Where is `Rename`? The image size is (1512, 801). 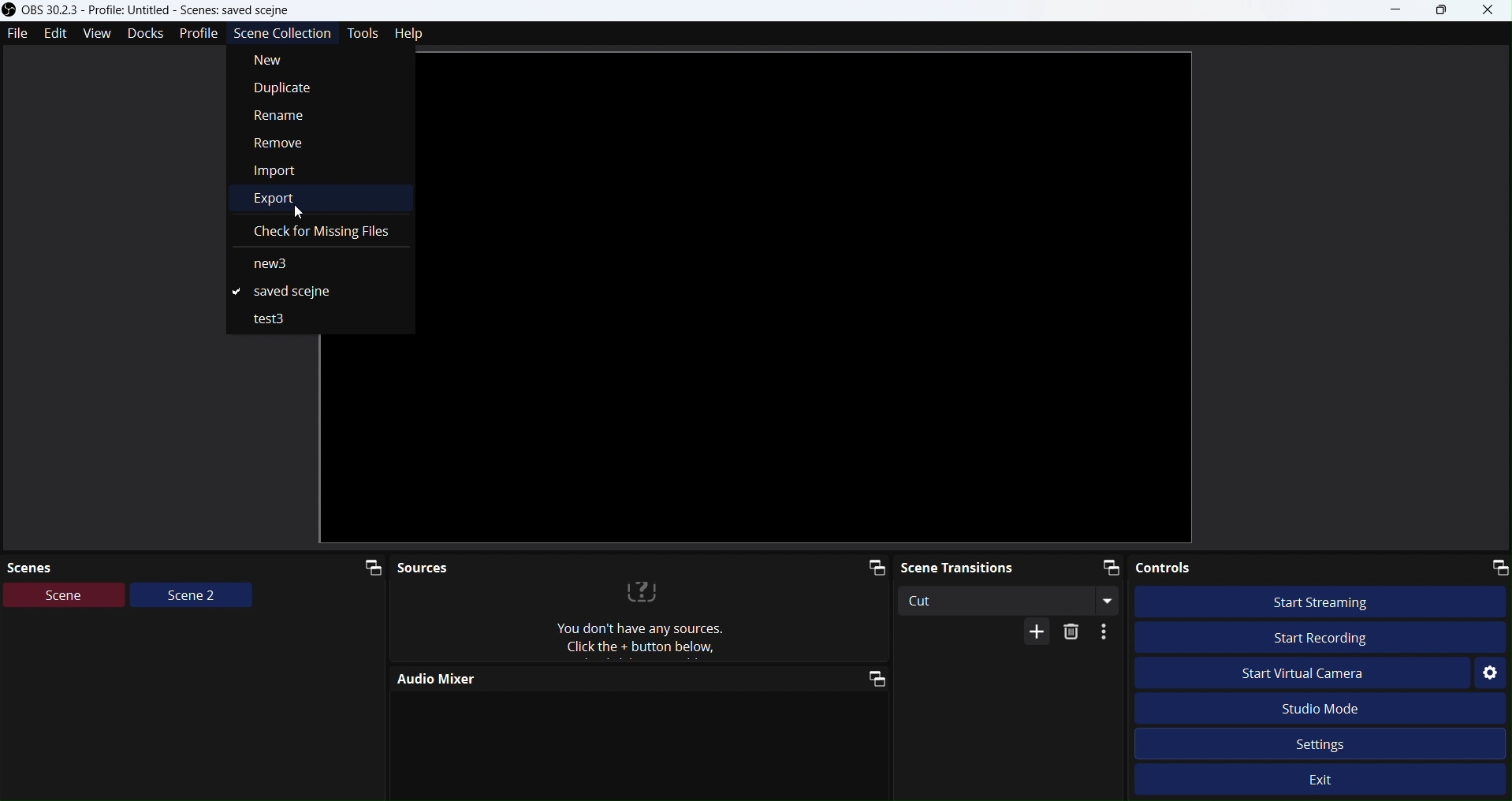
Rename is located at coordinates (301, 117).